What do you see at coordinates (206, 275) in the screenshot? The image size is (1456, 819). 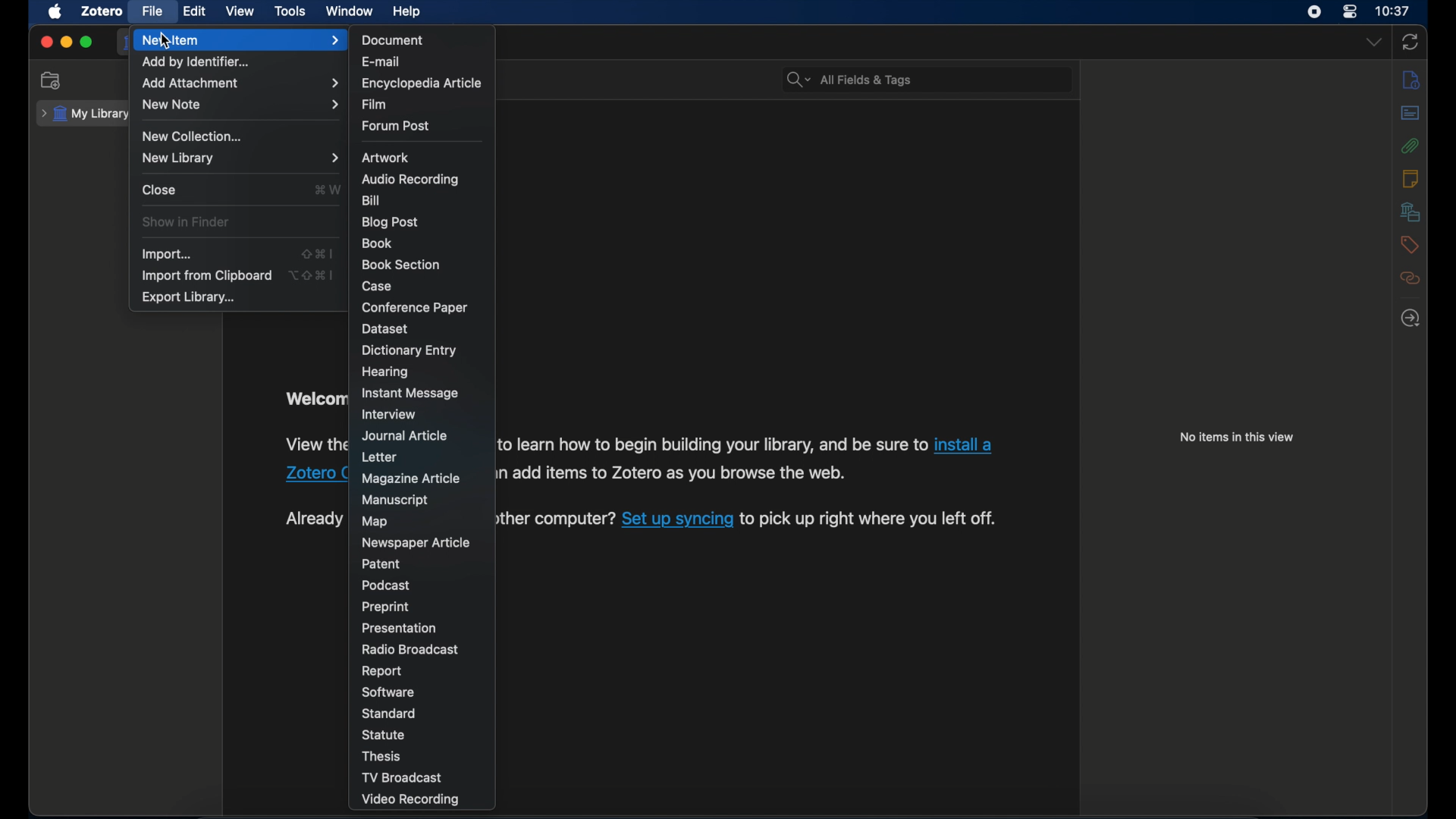 I see `import from clipboard` at bounding box center [206, 275].